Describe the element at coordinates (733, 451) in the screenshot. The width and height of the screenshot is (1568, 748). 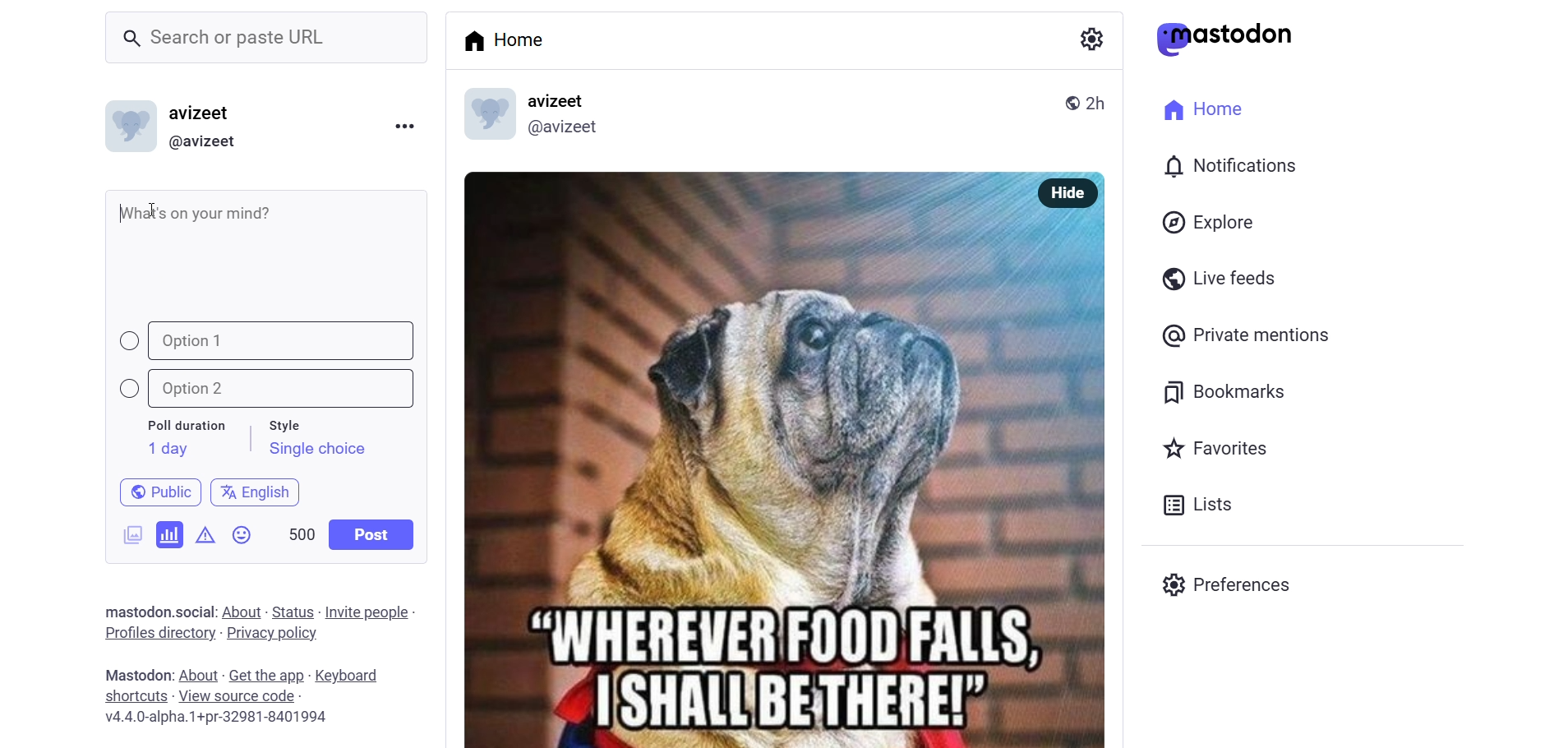
I see `post image` at that location.